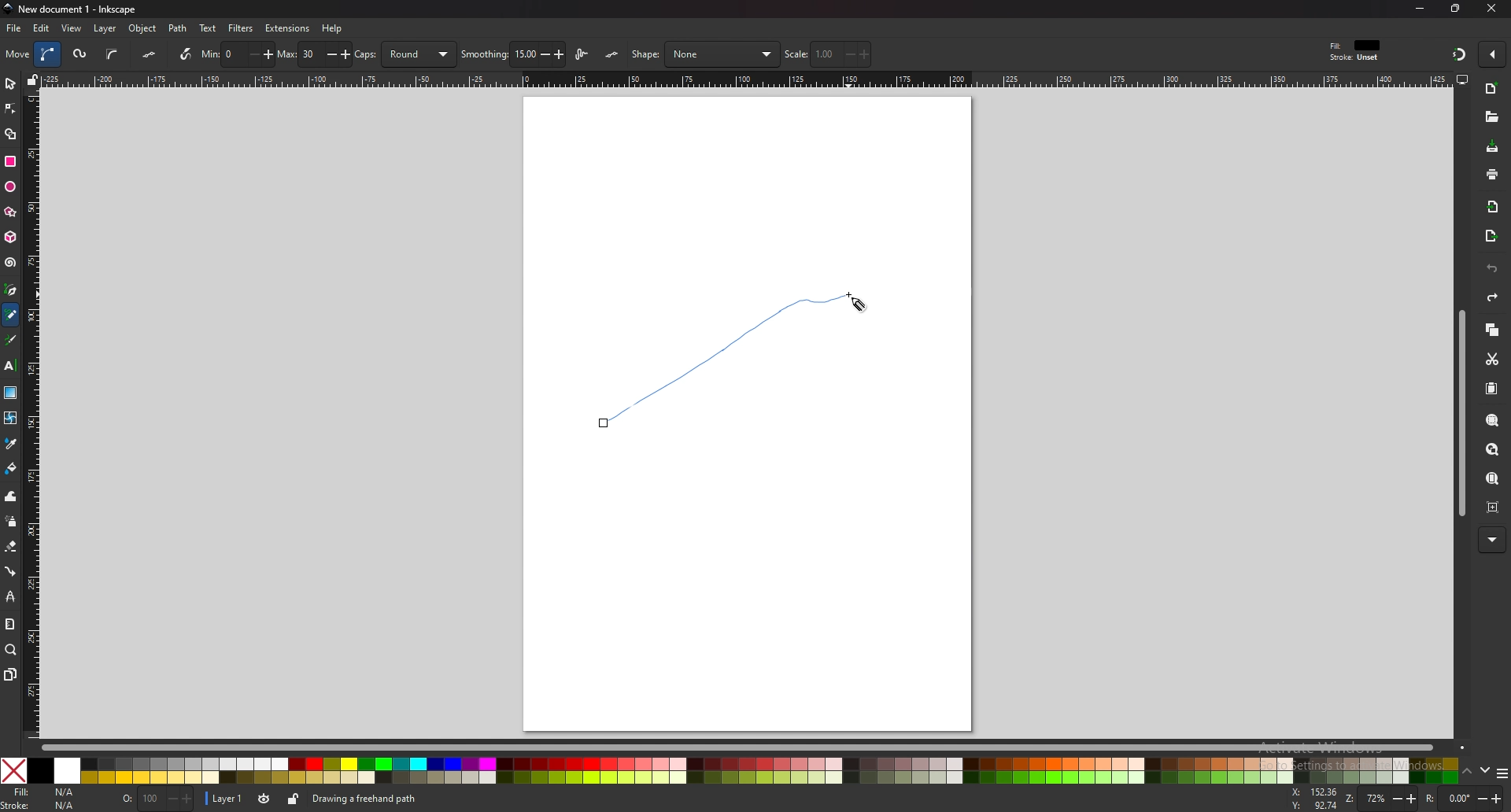 Image resolution: width=1511 pixels, height=812 pixels. Describe the element at coordinates (10, 317) in the screenshot. I see `pencil` at that location.